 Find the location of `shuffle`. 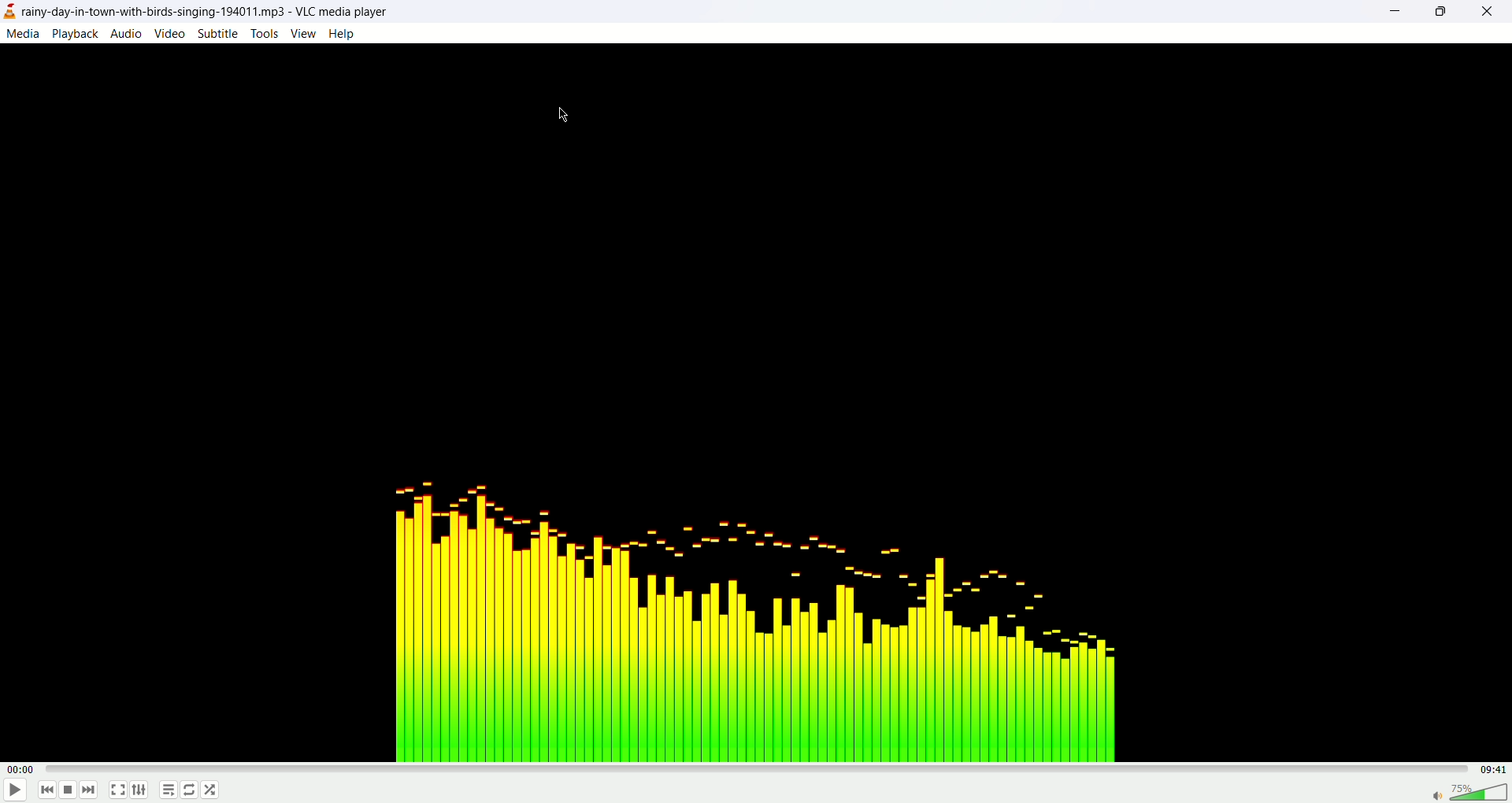

shuffle is located at coordinates (211, 790).